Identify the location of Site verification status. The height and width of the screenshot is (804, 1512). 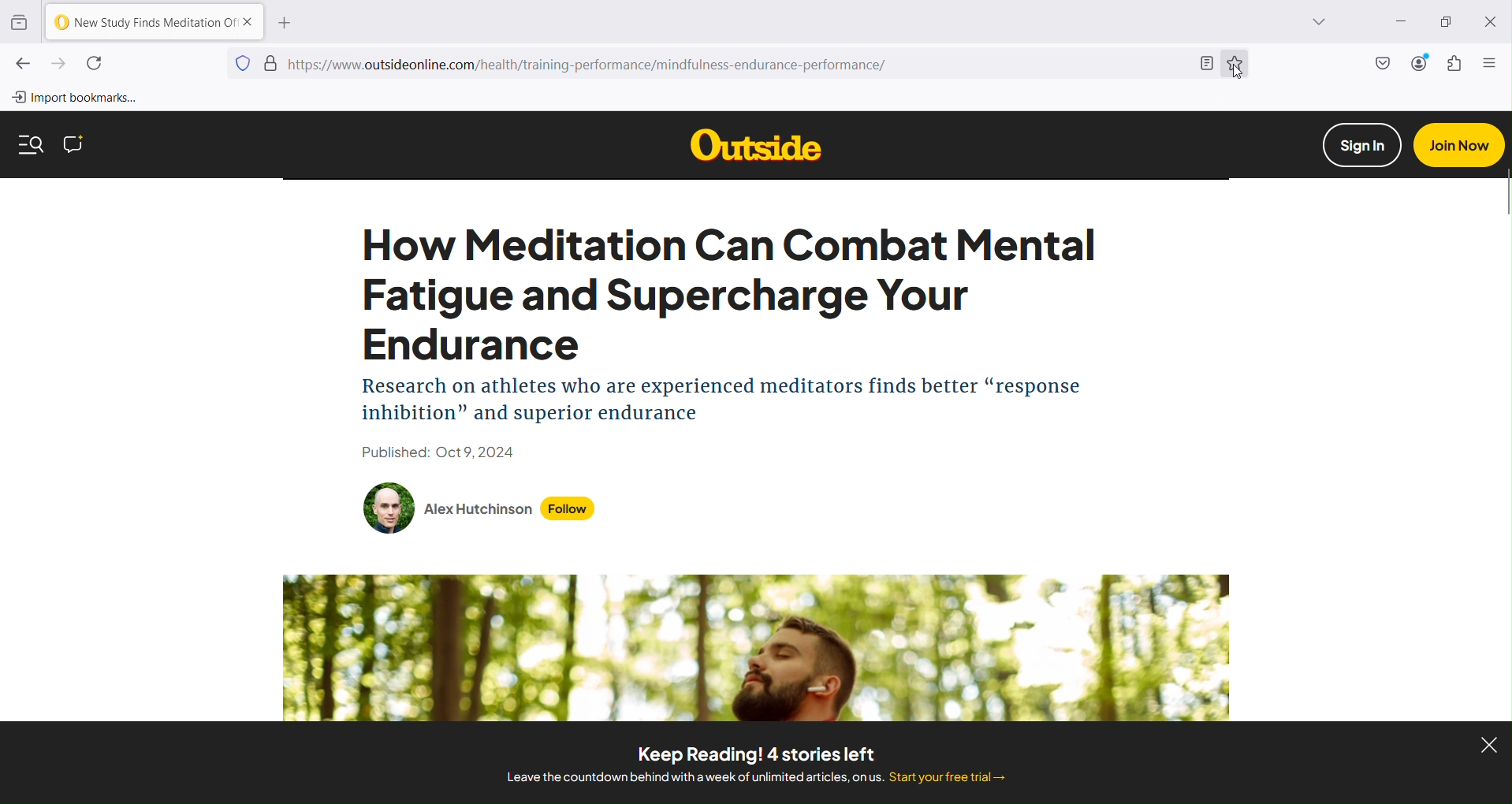
(271, 62).